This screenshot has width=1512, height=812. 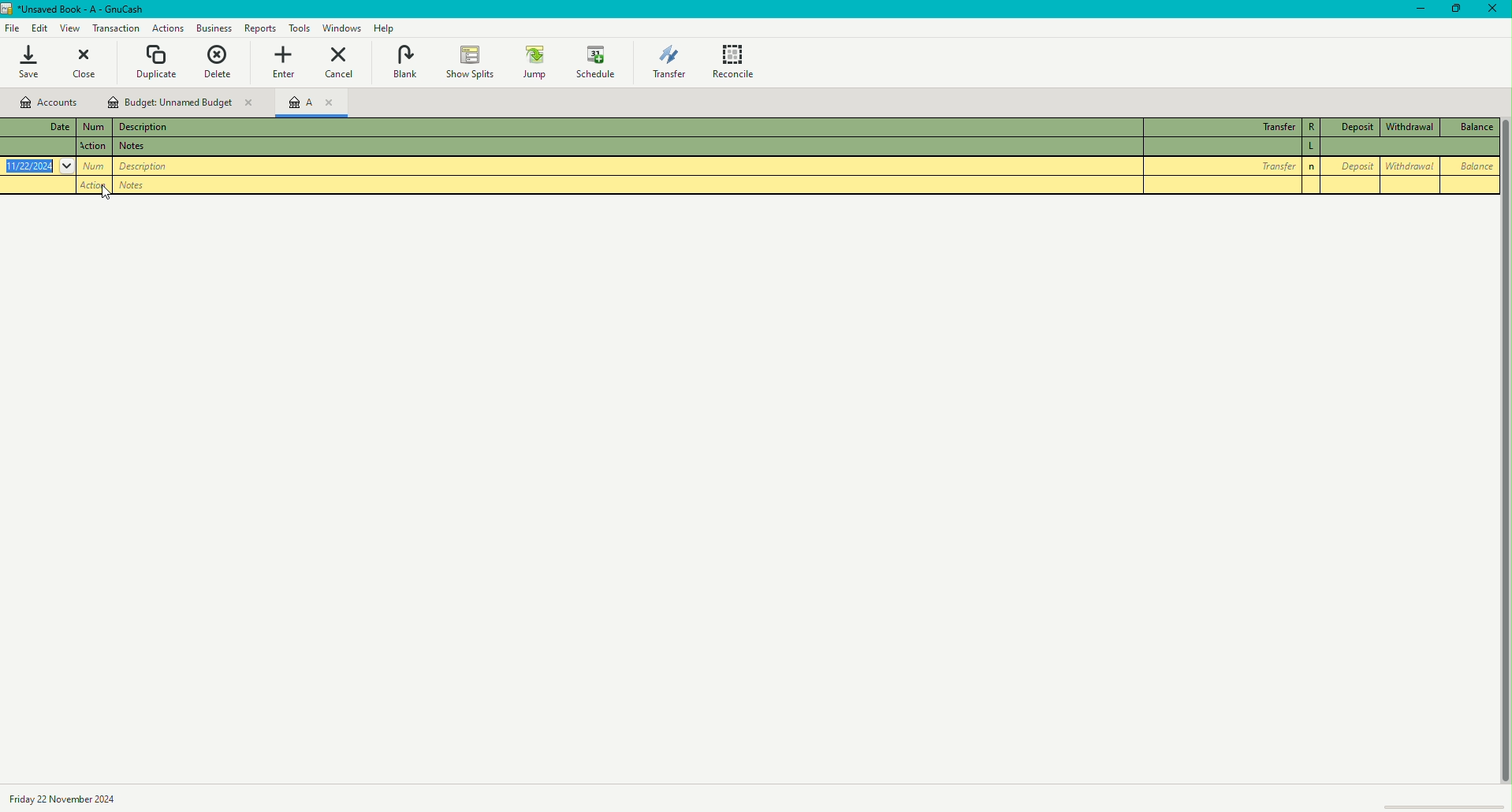 What do you see at coordinates (149, 167) in the screenshot?
I see `` at bounding box center [149, 167].